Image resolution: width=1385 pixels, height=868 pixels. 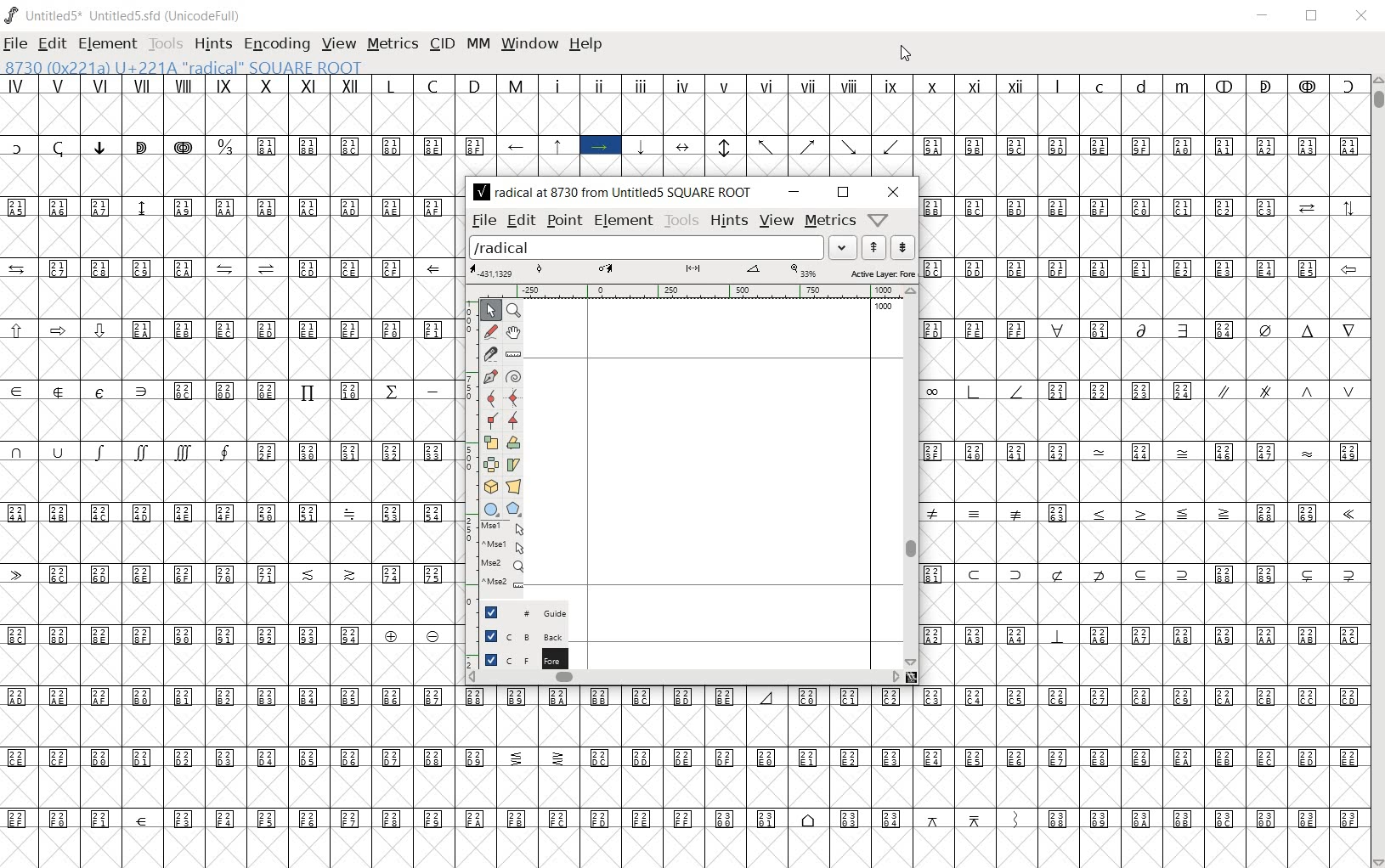 What do you see at coordinates (905, 56) in the screenshot?
I see `CURSOR` at bounding box center [905, 56].